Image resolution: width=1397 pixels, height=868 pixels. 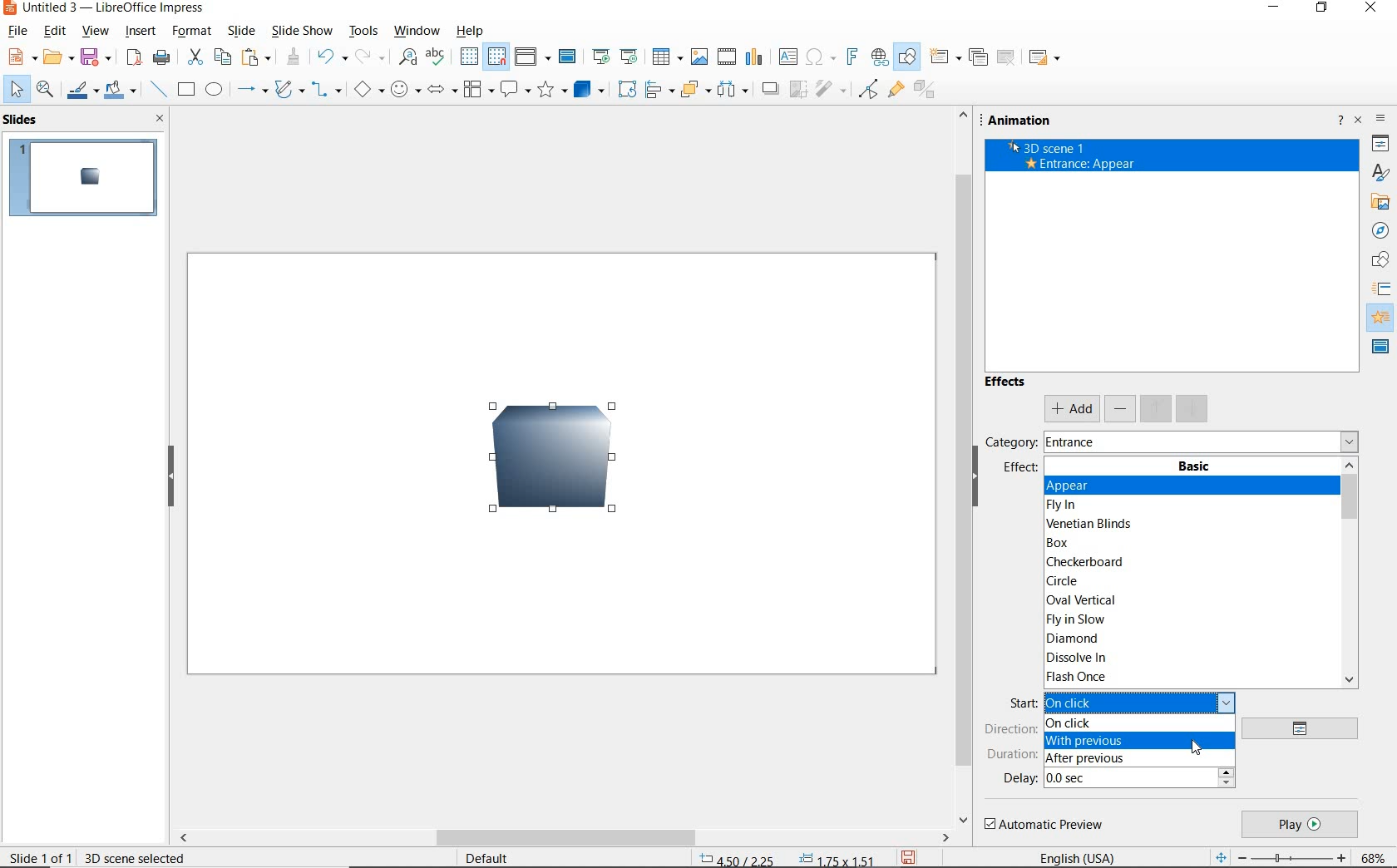 What do you see at coordinates (982, 486) in the screenshot?
I see `HIDE` at bounding box center [982, 486].